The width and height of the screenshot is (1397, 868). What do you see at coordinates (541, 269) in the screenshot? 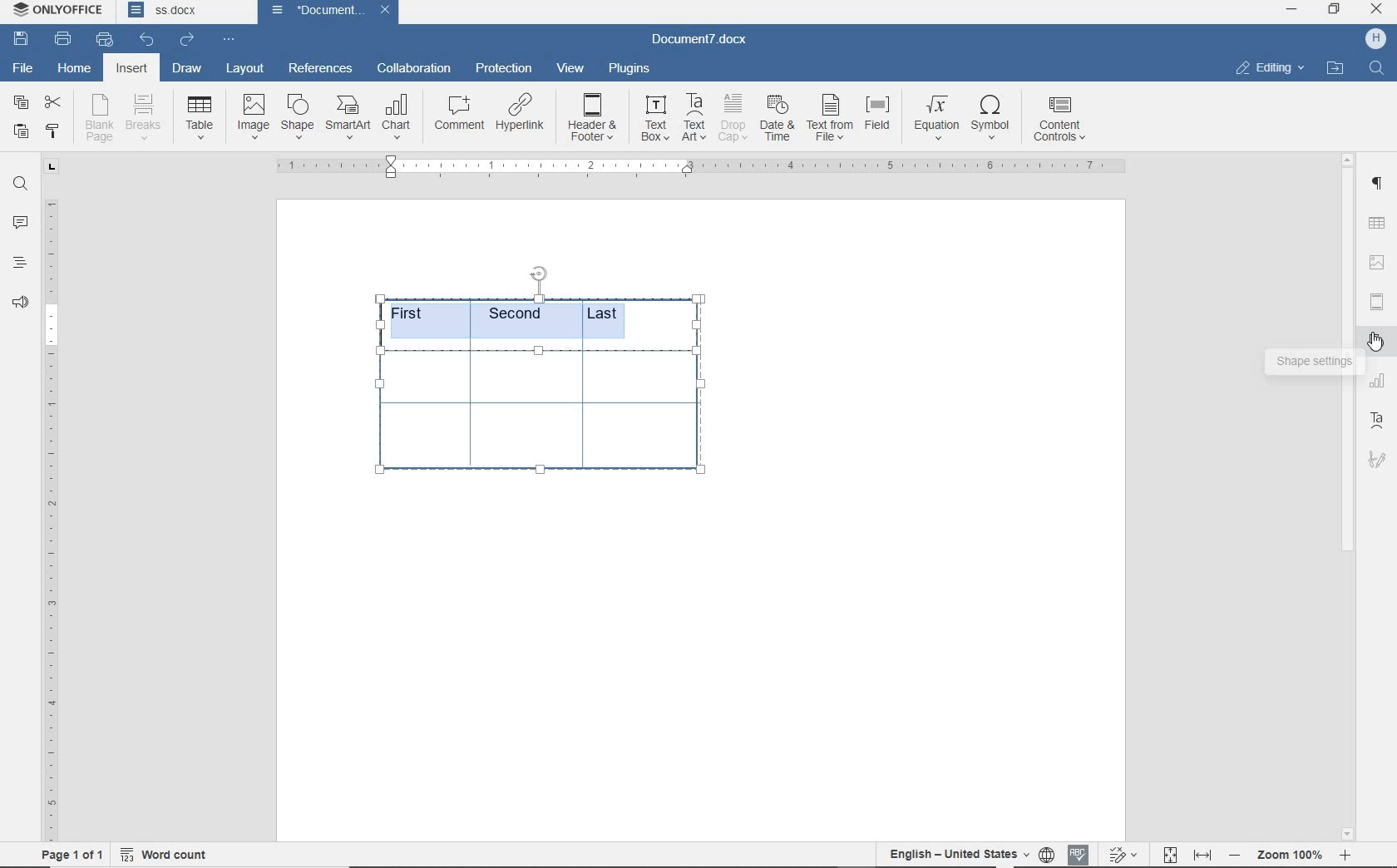
I see `position table` at bounding box center [541, 269].